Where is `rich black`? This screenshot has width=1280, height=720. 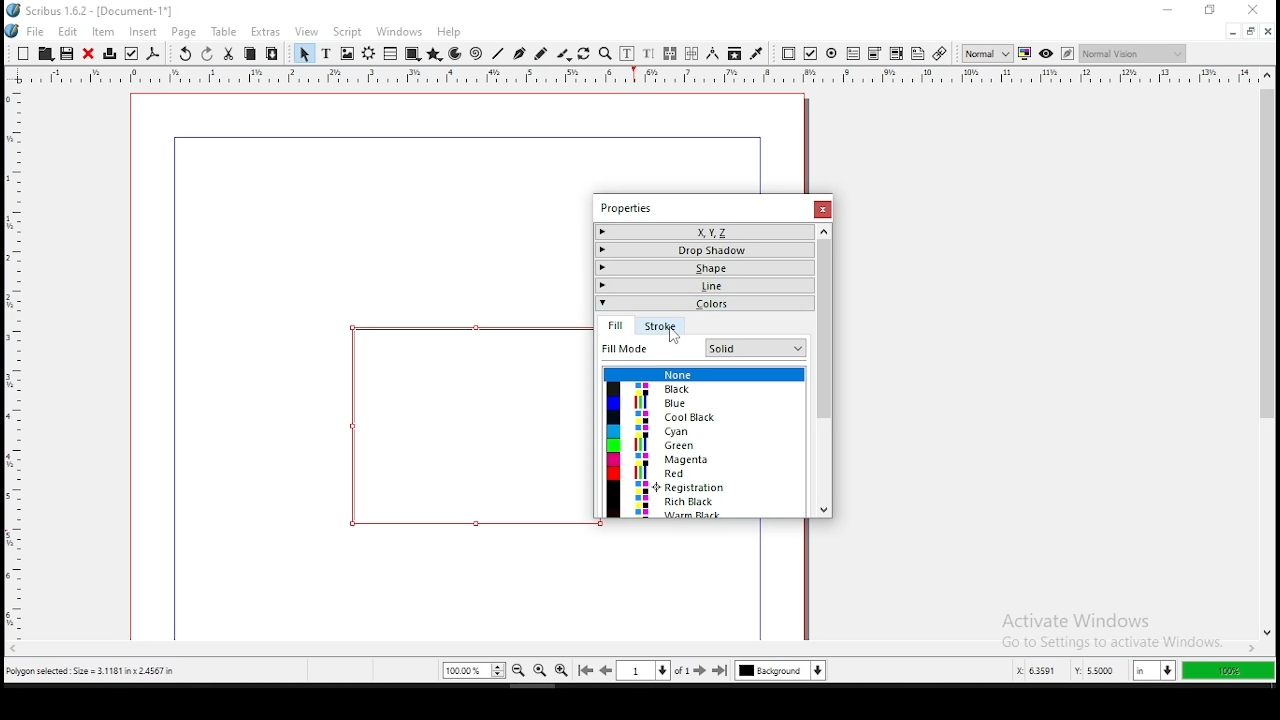
rich black is located at coordinates (705, 501).